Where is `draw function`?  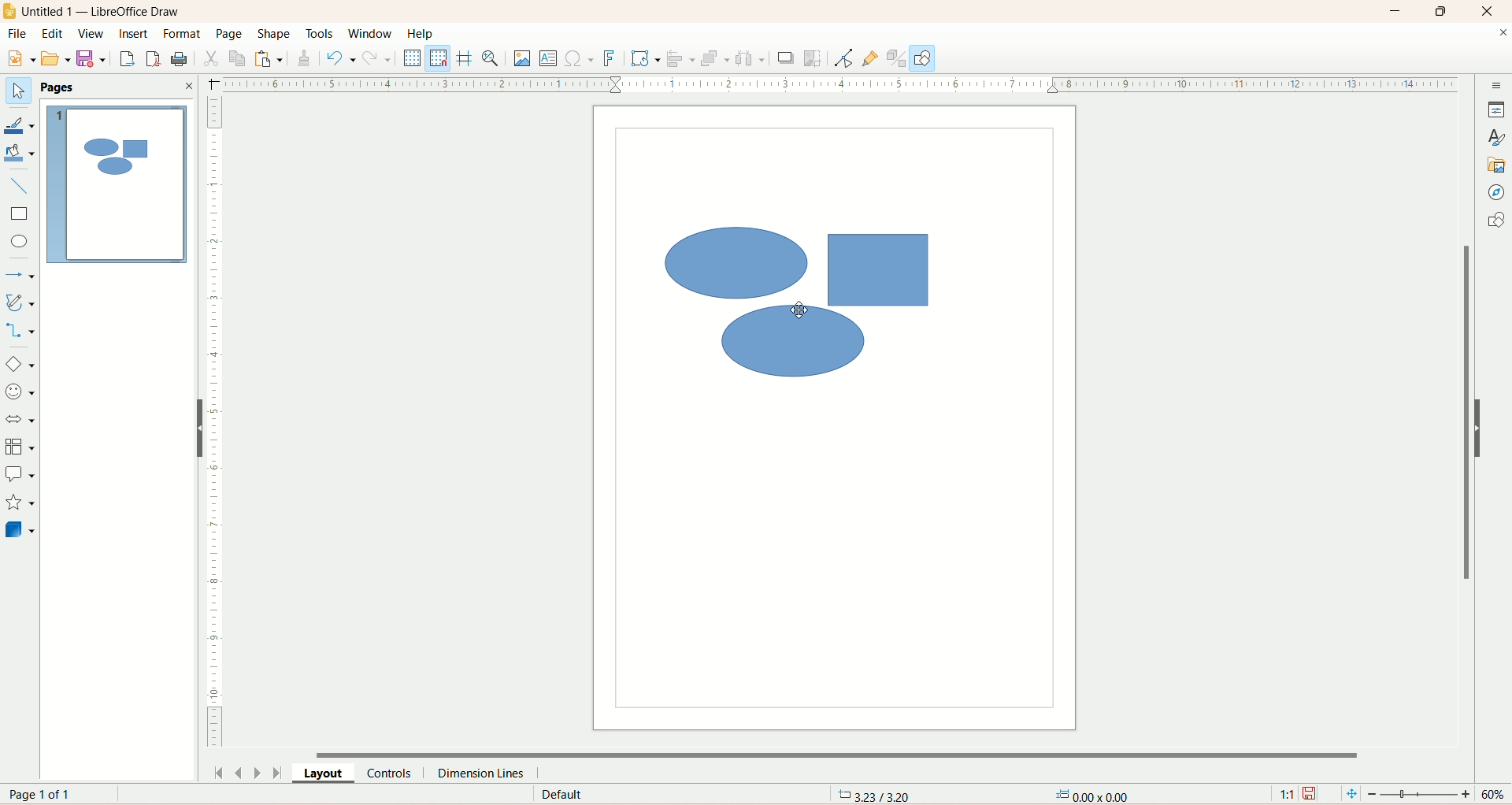
draw function is located at coordinates (922, 58).